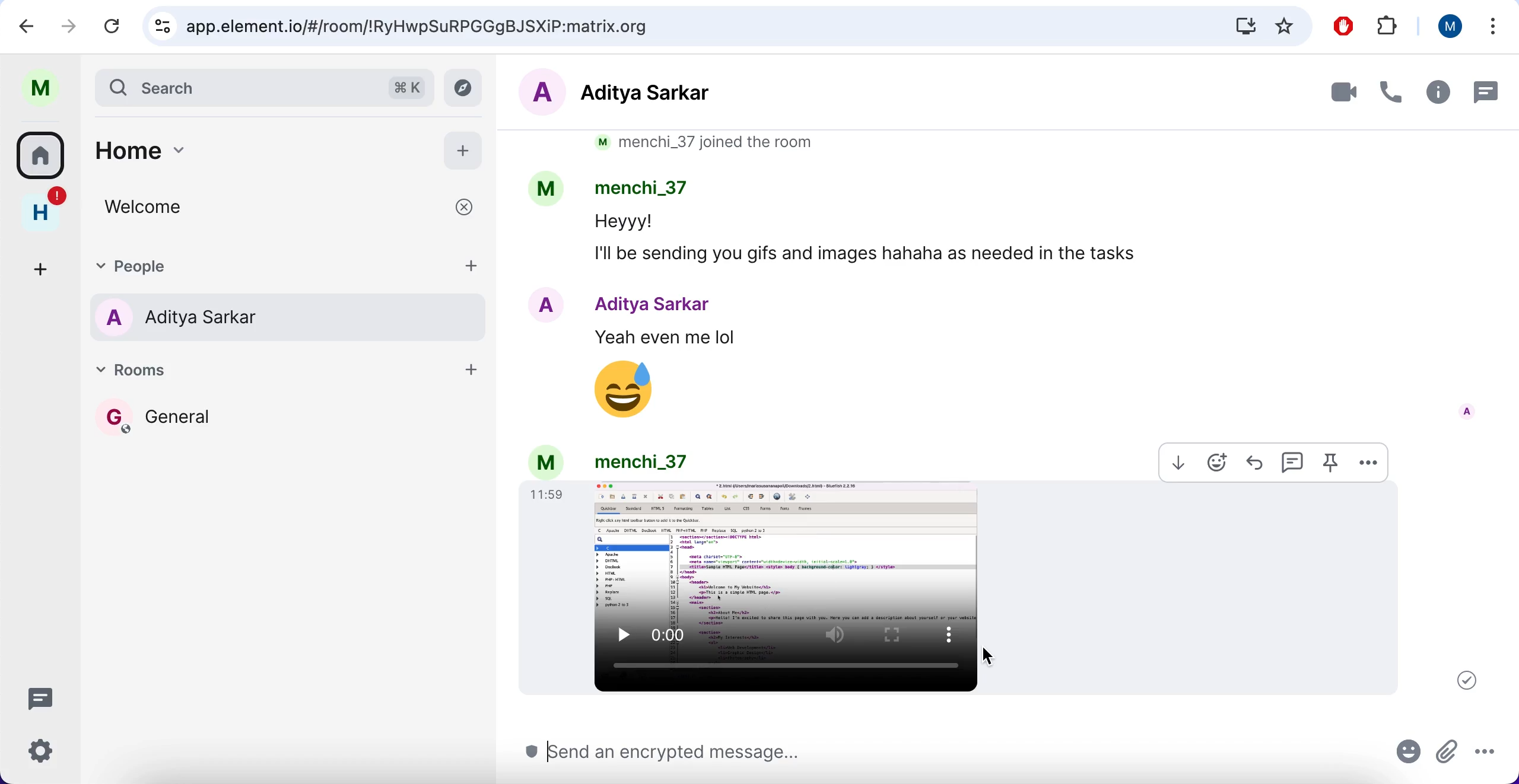  What do you see at coordinates (1334, 91) in the screenshot?
I see `videocall` at bounding box center [1334, 91].